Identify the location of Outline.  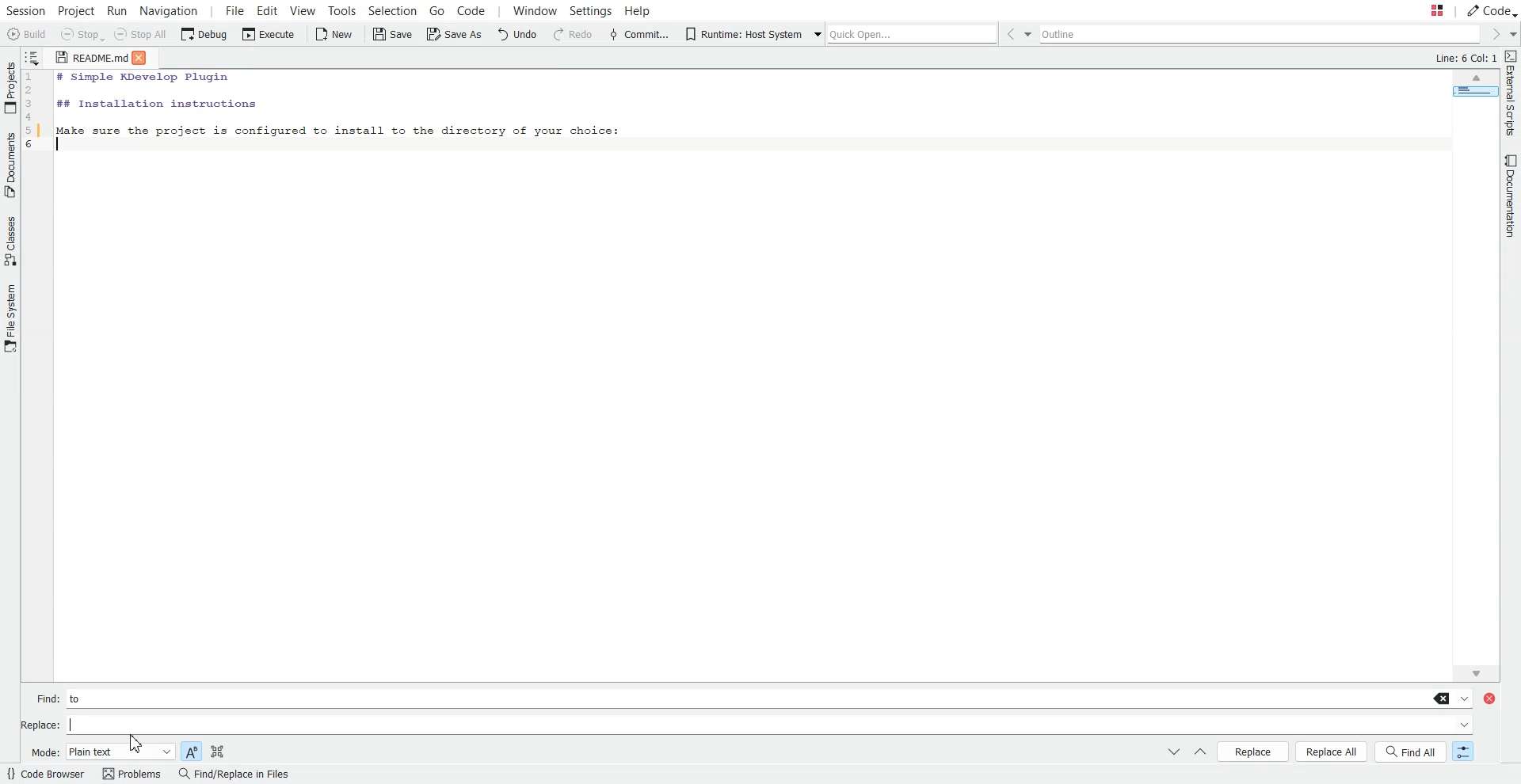
(1263, 35).